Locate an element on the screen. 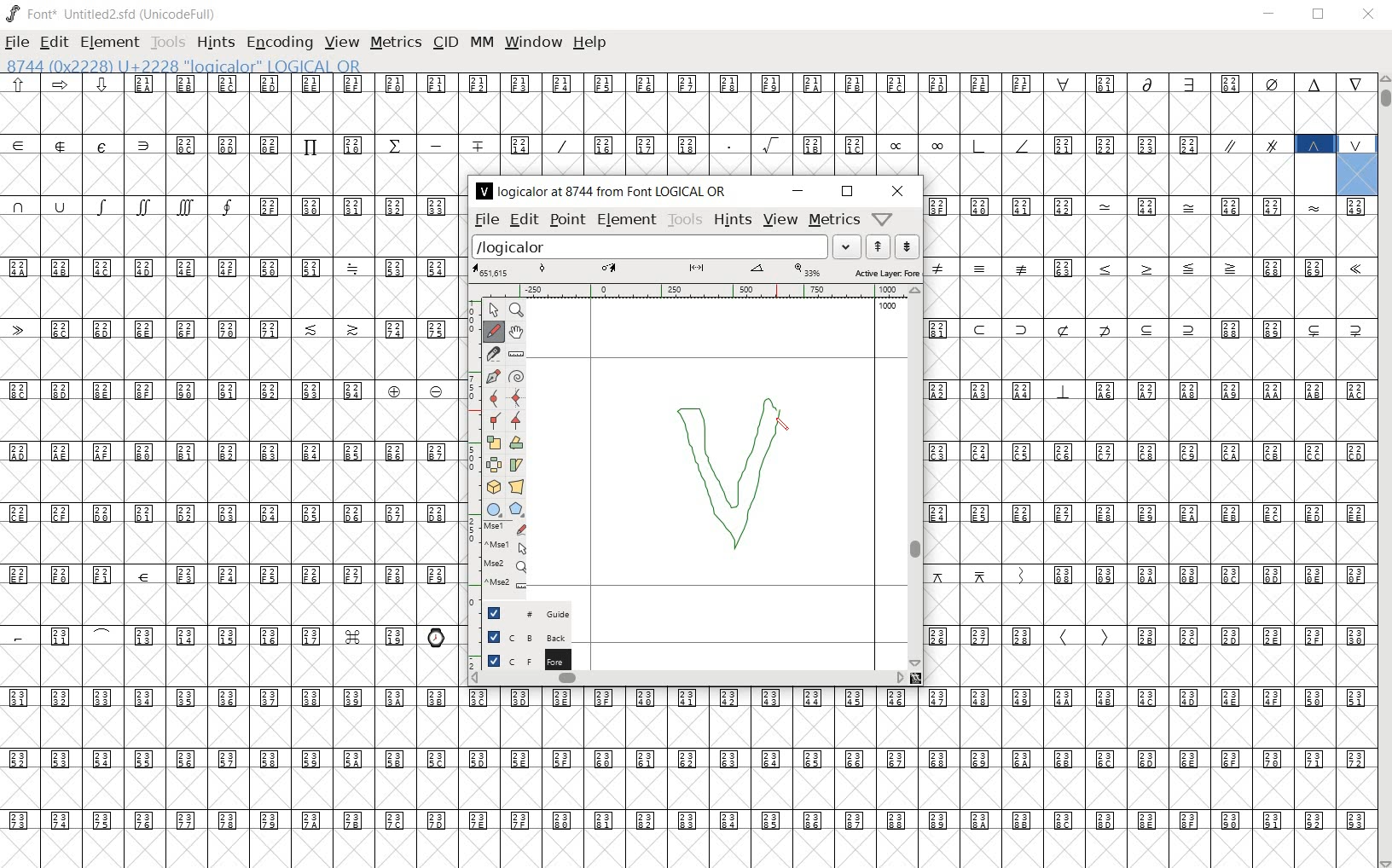  Help/Window is located at coordinates (880, 218).